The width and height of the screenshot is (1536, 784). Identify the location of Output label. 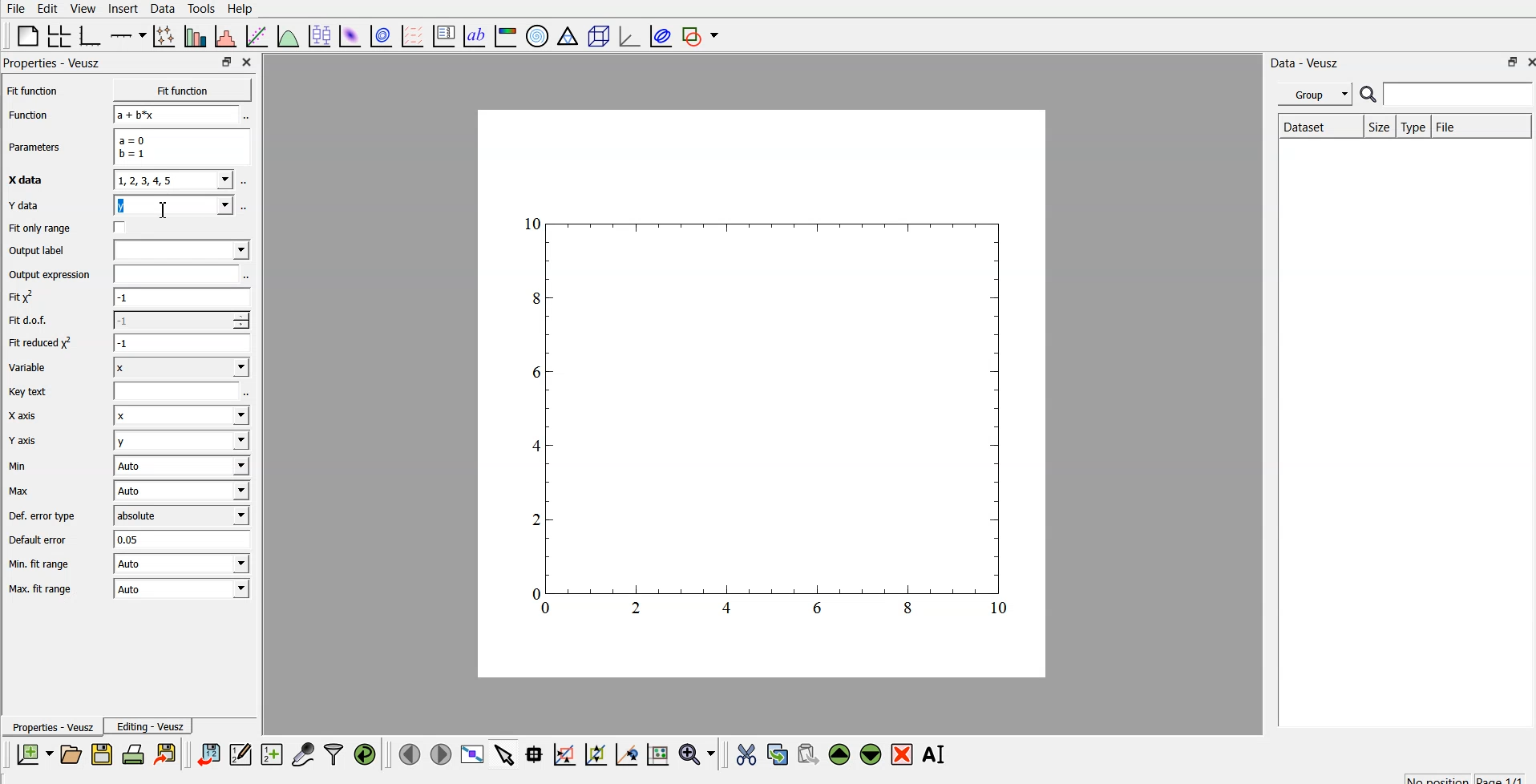
(50, 250).